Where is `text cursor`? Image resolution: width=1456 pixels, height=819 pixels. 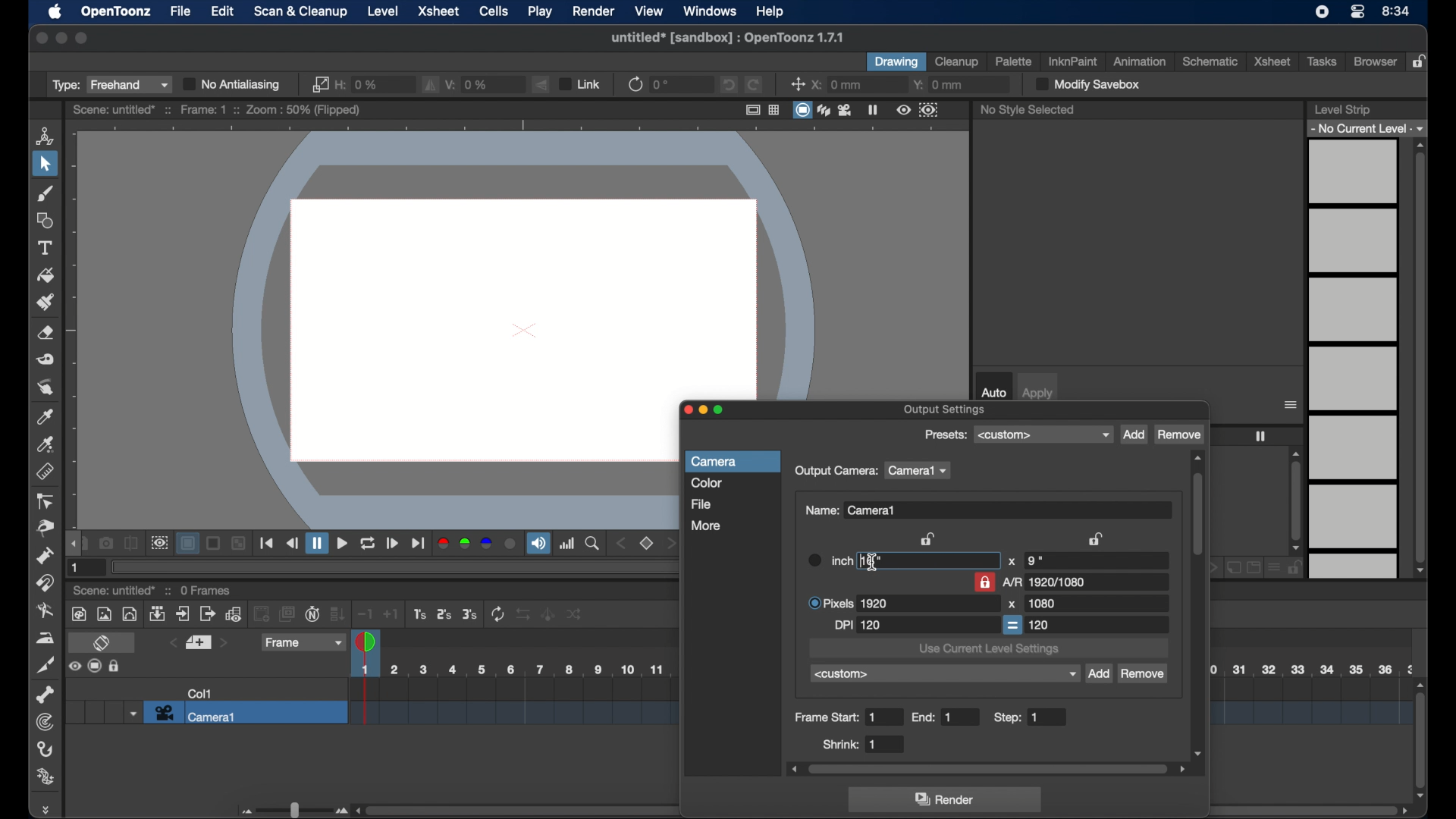
text cursor is located at coordinates (874, 563).